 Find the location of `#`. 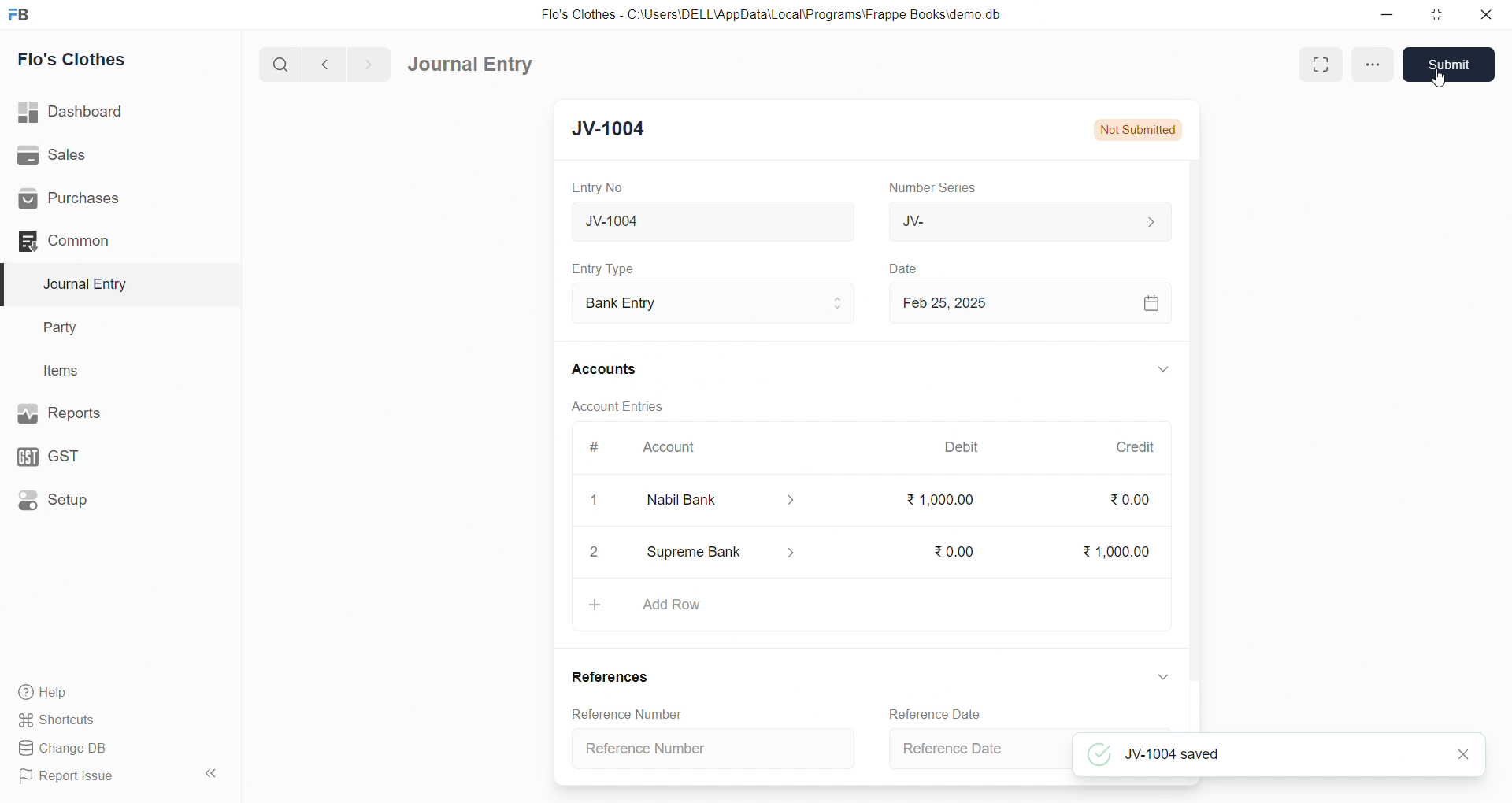

# is located at coordinates (595, 449).